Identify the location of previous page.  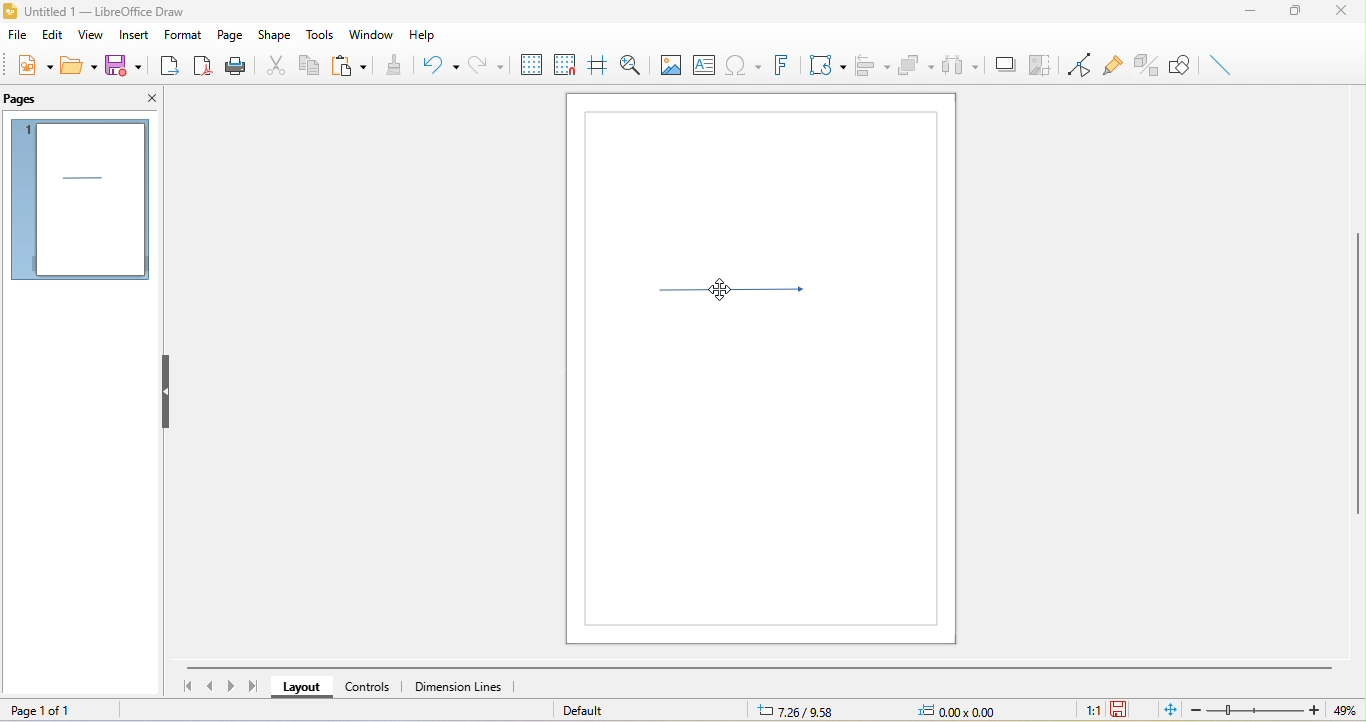
(210, 687).